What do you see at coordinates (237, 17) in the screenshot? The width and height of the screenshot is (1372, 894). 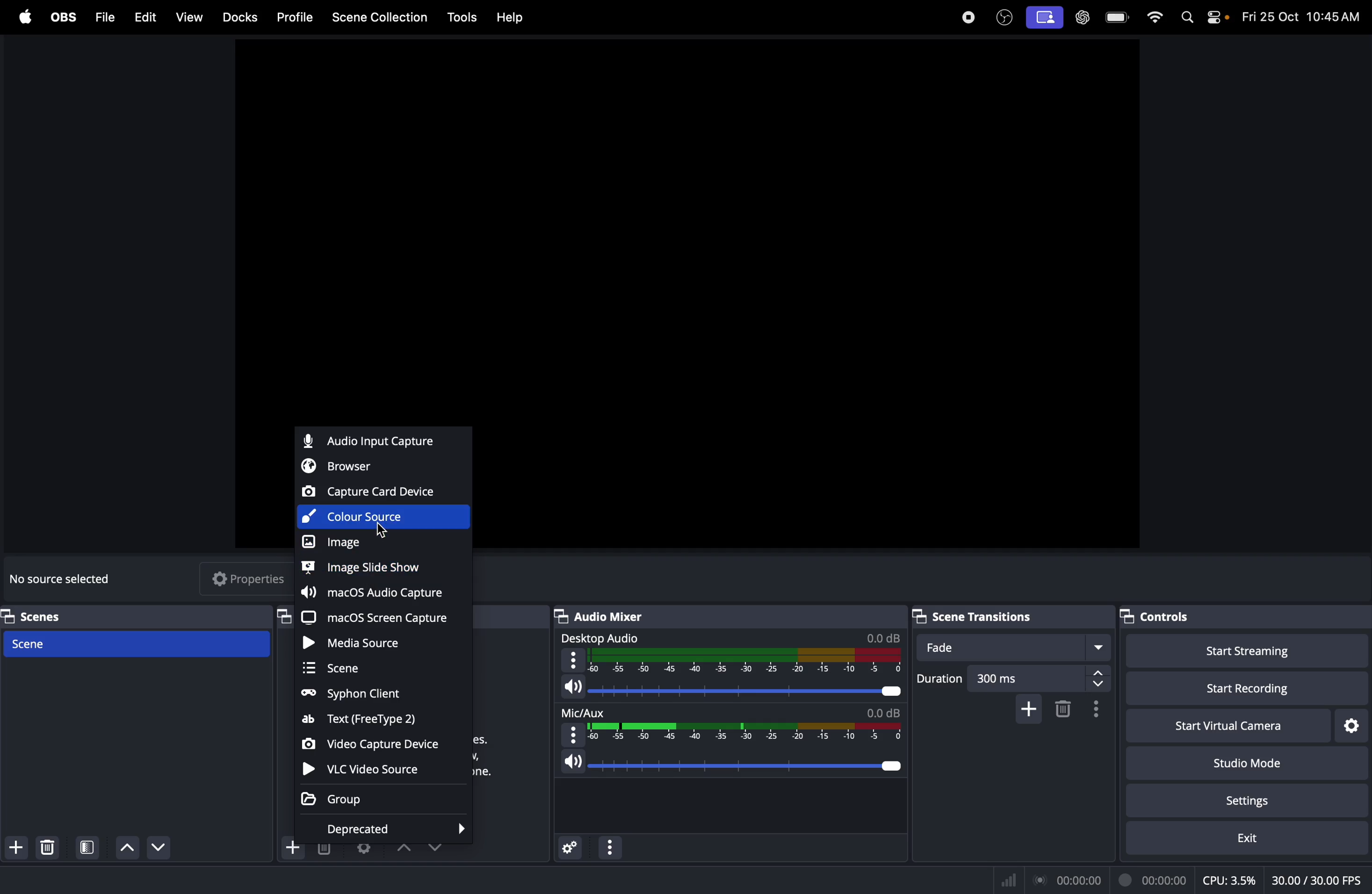 I see `Docks` at bounding box center [237, 17].